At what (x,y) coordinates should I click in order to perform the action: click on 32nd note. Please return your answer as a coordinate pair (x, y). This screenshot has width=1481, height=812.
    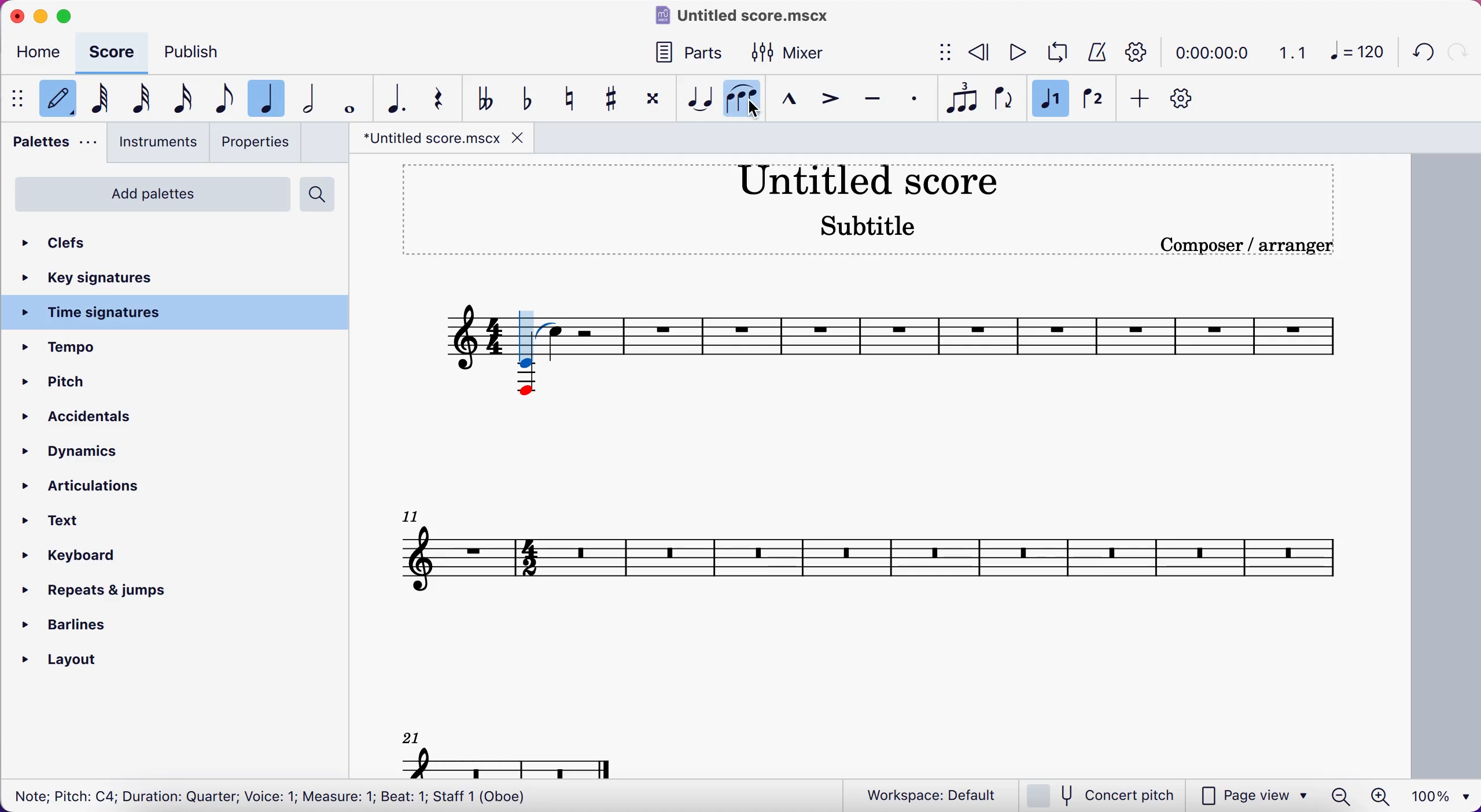
    Looking at the image, I should click on (143, 100).